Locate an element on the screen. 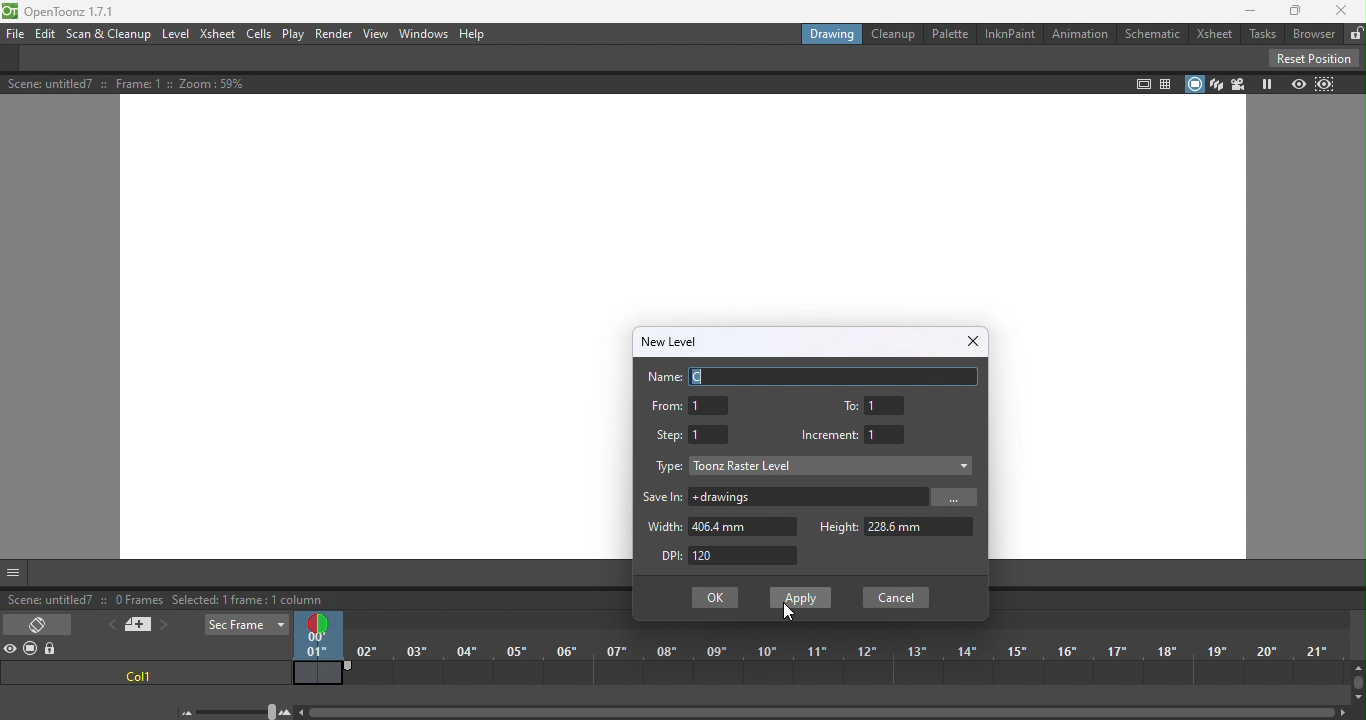 Image resolution: width=1366 pixels, height=720 pixels. Palette is located at coordinates (951, 34).